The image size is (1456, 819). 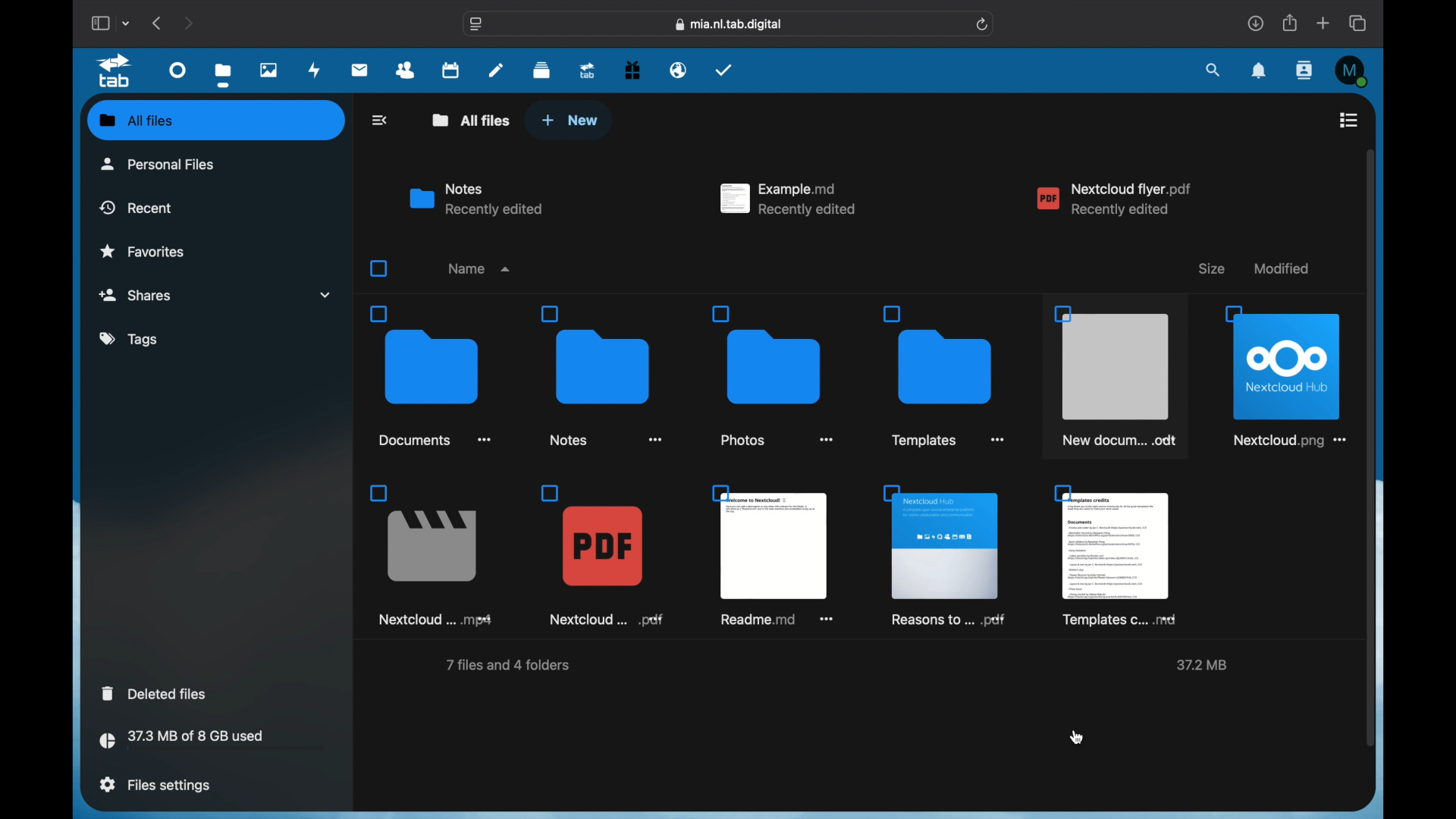 What do you see at coordinates (984, 25) in the screenshot?
I see `refresh` at bounding box center [984, 25].